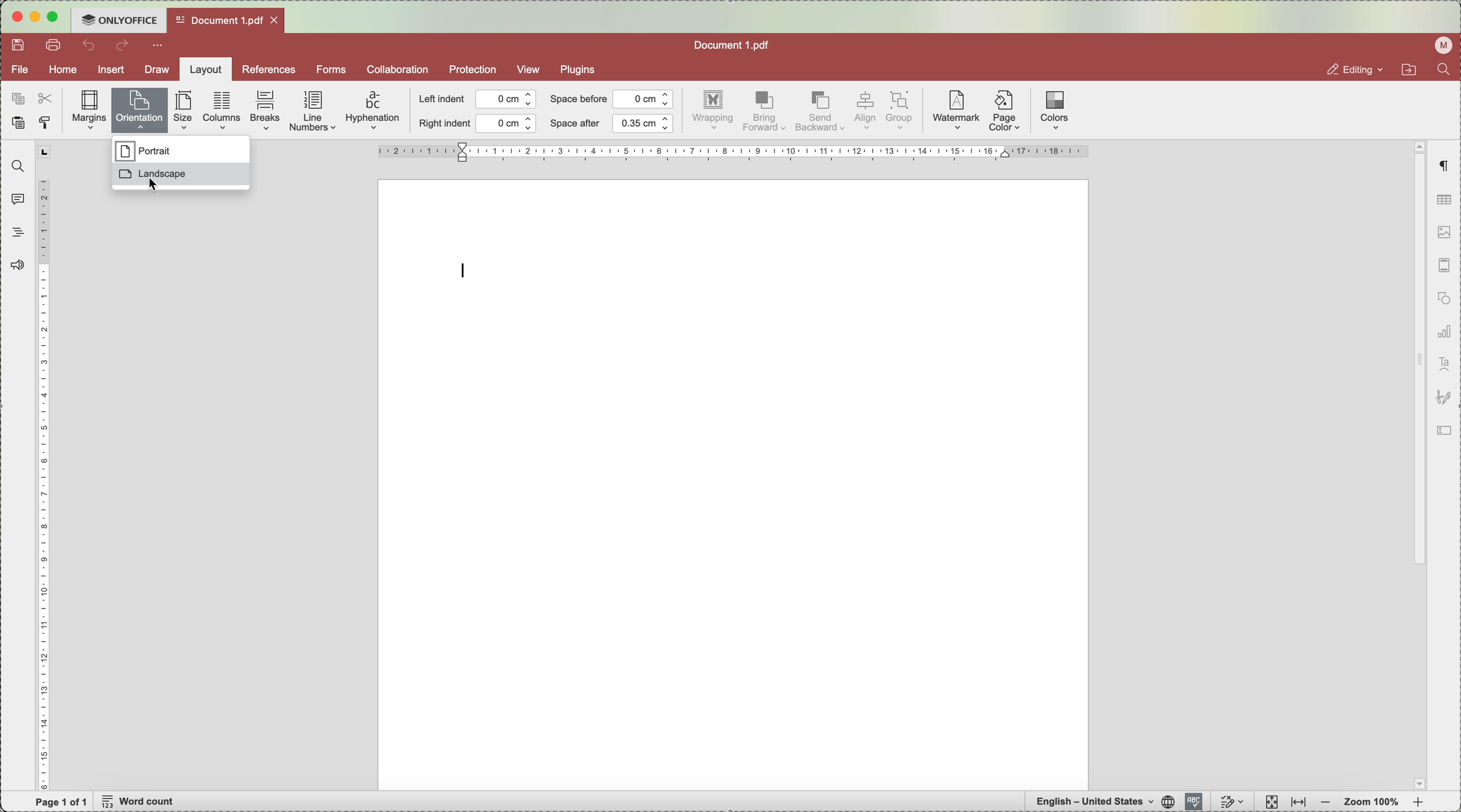  What do you see at coordinates (141, 108) in the screenshot?
I see `orientation` at bounding box center [141, 108].